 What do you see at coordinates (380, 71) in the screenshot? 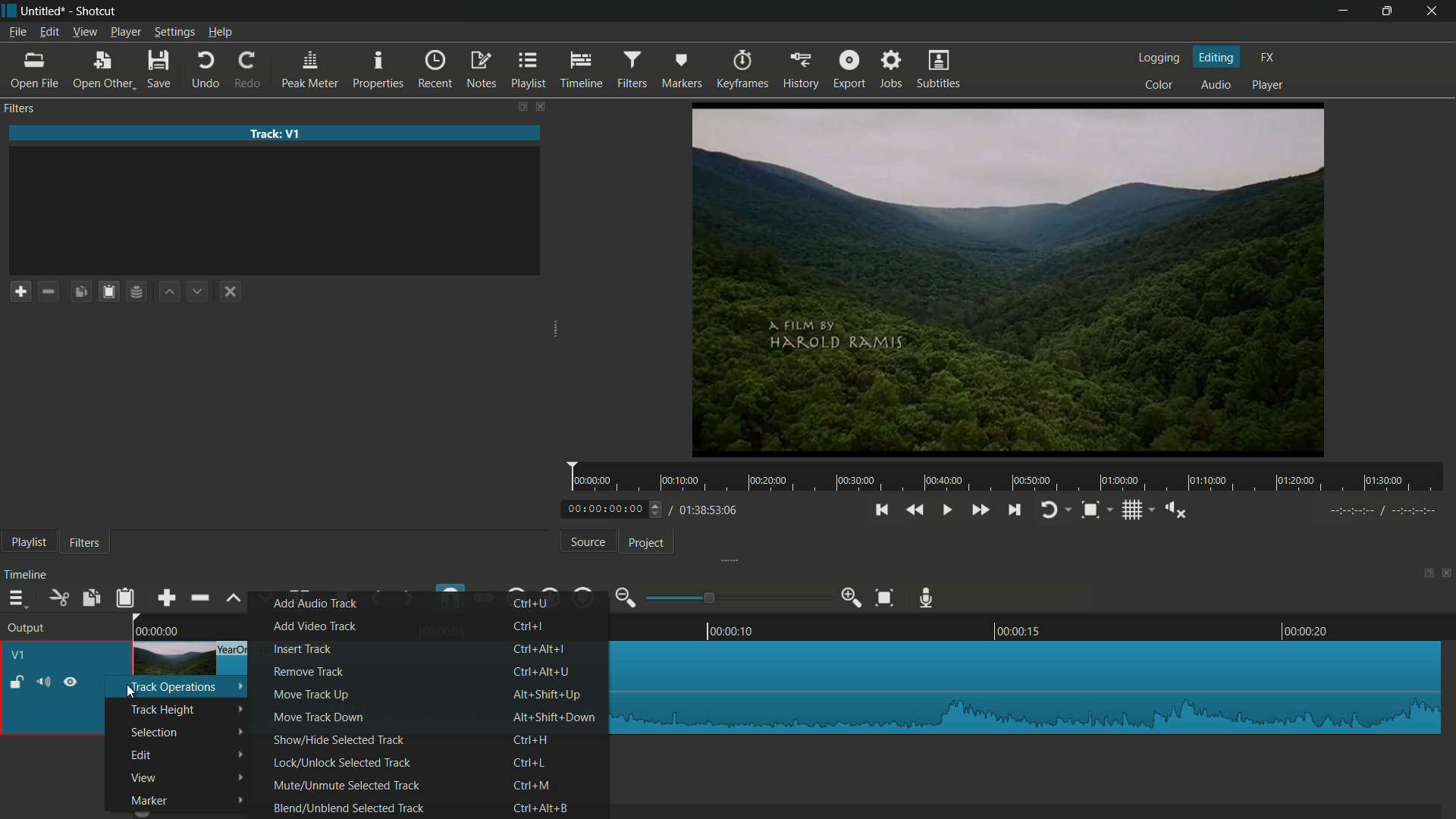
I see `properties` at bounding box center [380, 71].